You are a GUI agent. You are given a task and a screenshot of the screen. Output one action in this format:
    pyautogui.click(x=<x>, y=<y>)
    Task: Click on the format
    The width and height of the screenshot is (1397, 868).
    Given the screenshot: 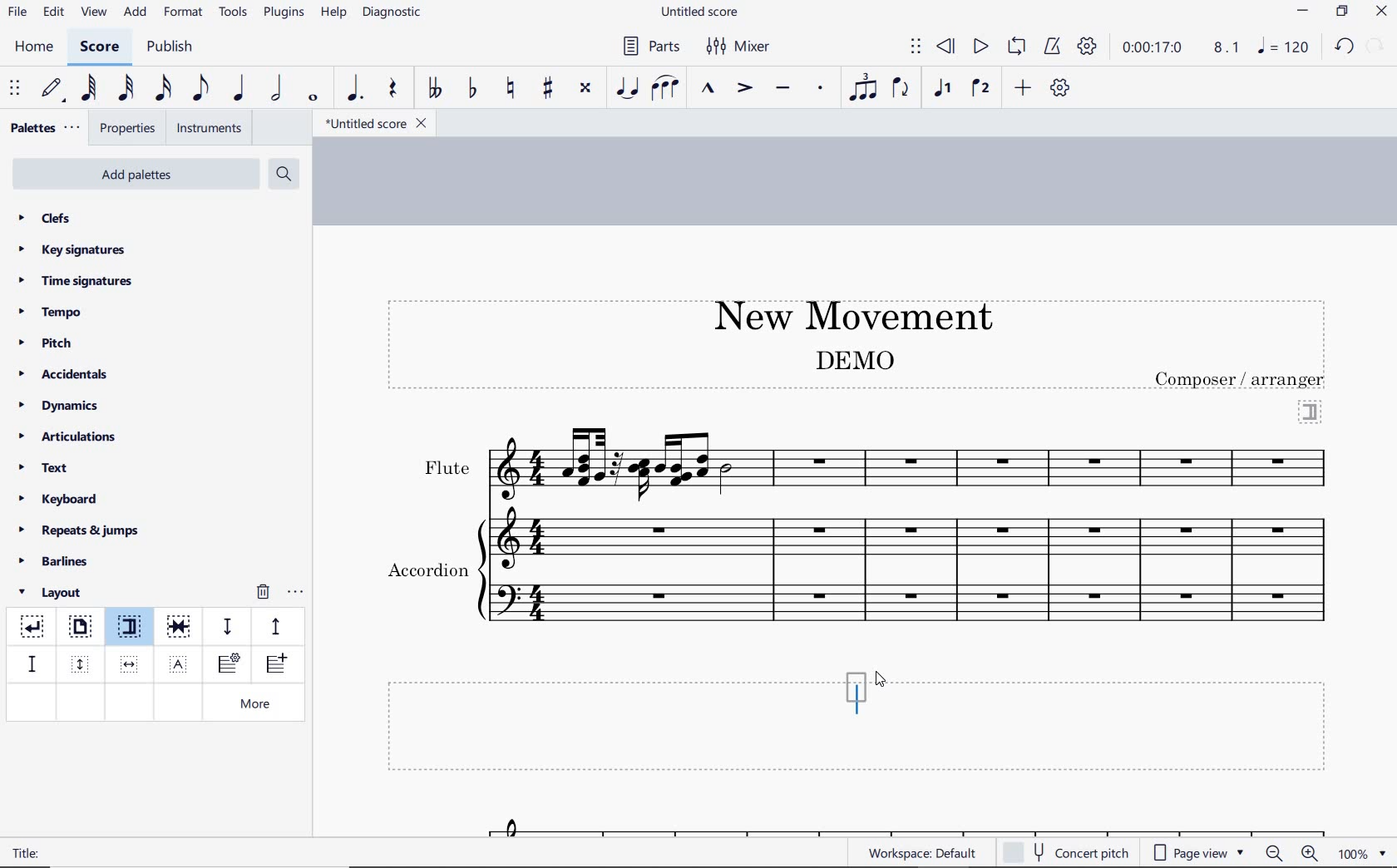 What is the action you would take?
    pyautogui.click(x=185, y=12)
    